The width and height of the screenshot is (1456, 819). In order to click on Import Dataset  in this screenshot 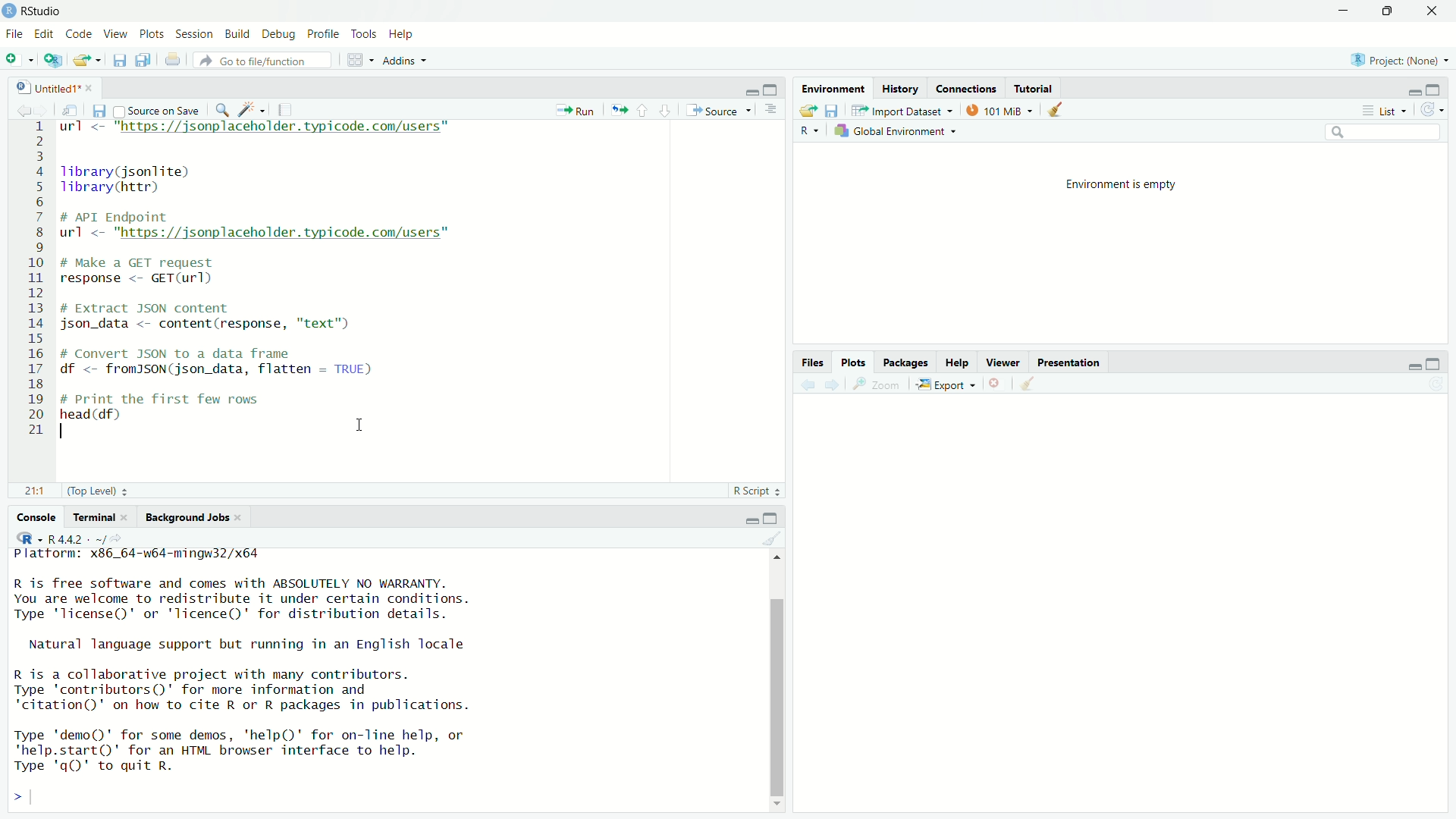, I will do `click(903, 111)`.